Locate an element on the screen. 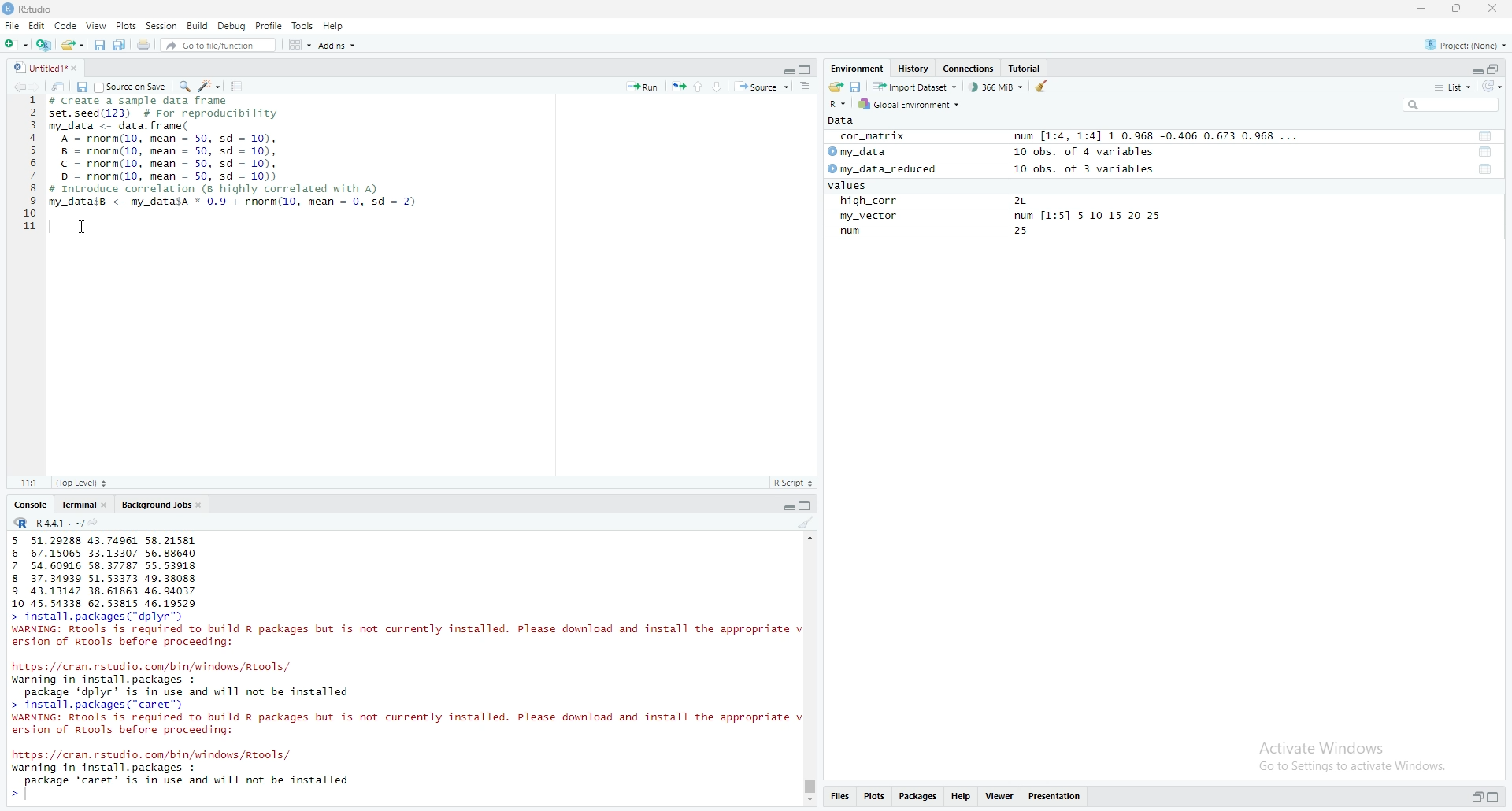 The width and height of the screenshot is (1512, 811). add file is located at coordinates (46, 45).